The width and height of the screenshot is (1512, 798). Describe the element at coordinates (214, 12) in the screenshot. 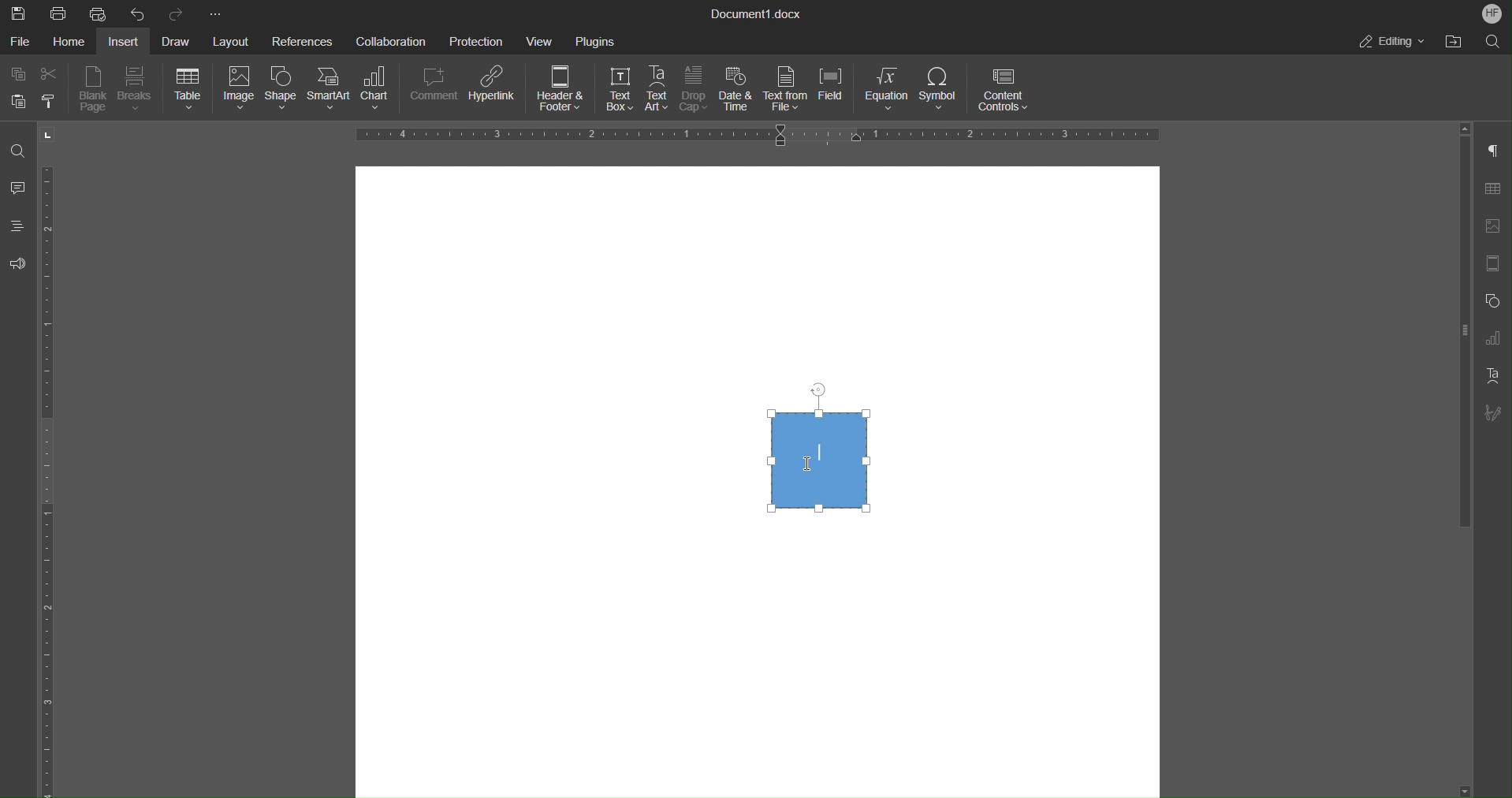

I see `More` at that location.